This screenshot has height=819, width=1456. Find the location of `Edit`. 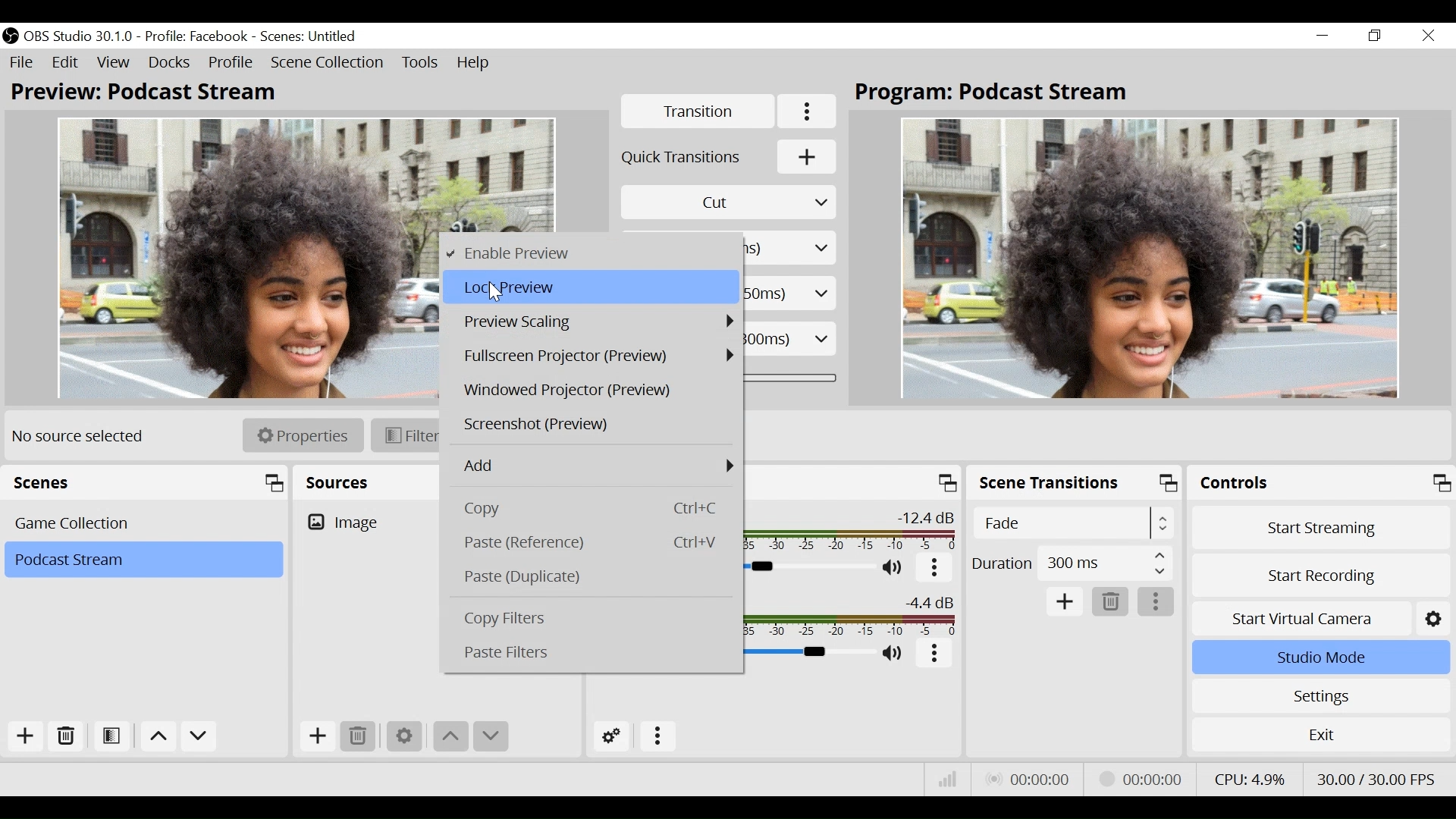

Edit is located at coordinates (66, 63).